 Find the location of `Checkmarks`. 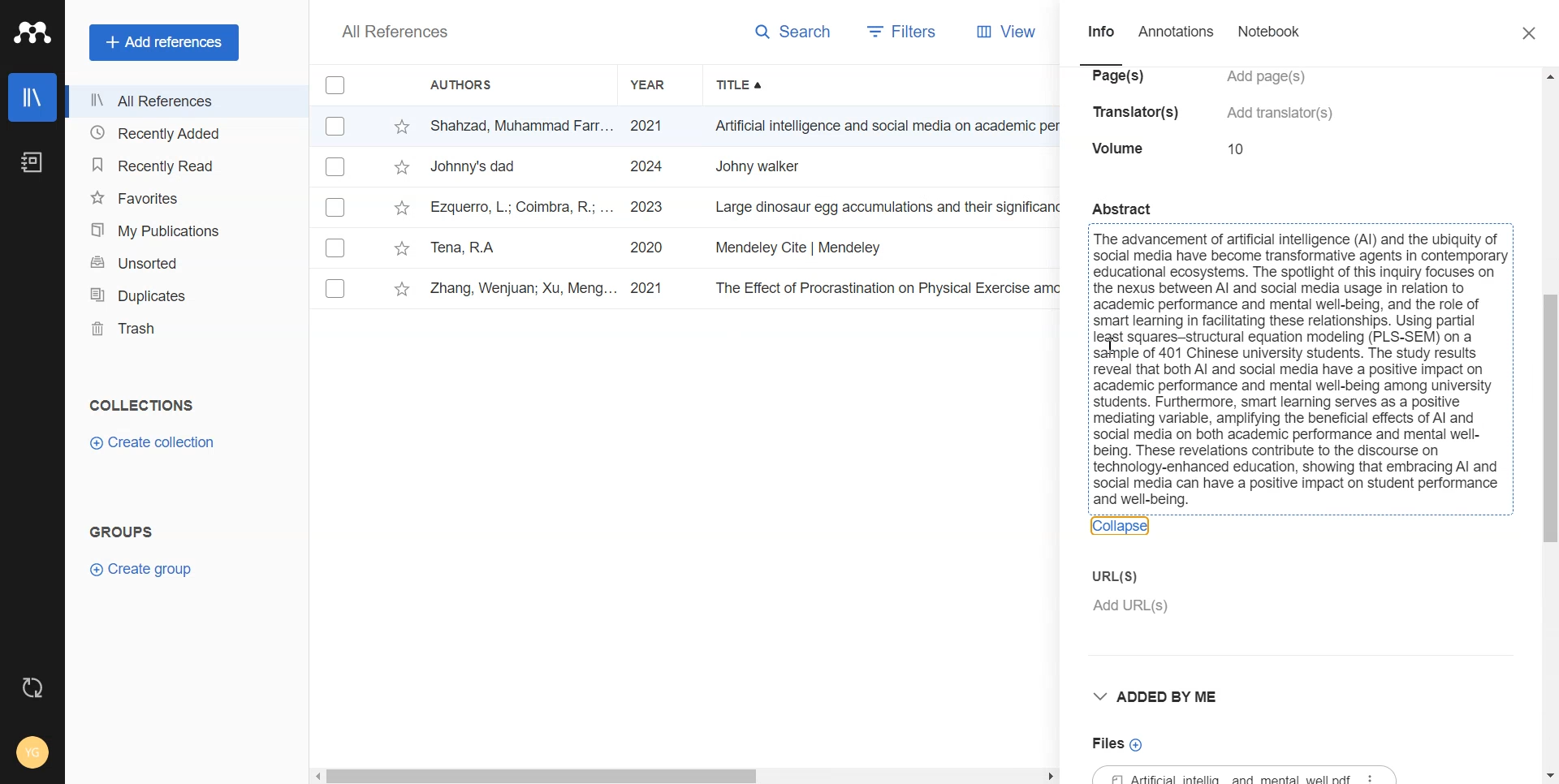

Checkmarks is located at coordinates (338, 127).